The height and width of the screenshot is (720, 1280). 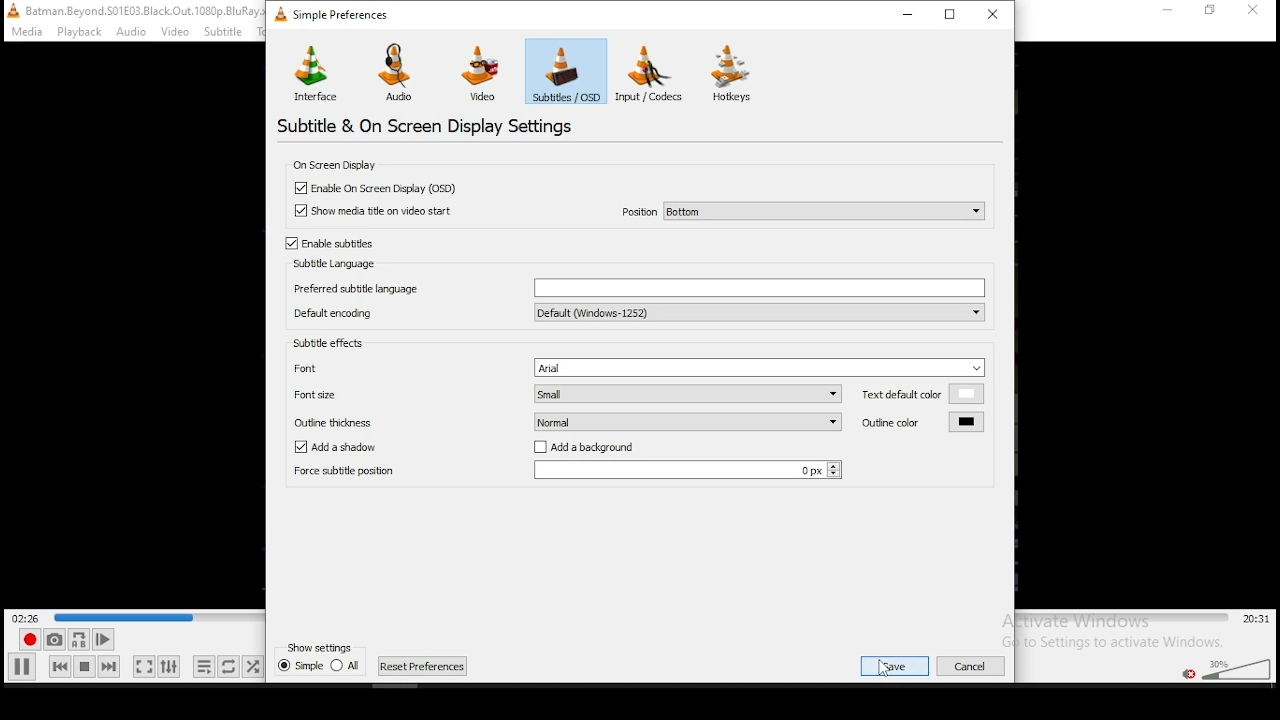 What do you see at coordinates (27, 640) in the screenshot?
I see `record` at bounding box center [27, 640].